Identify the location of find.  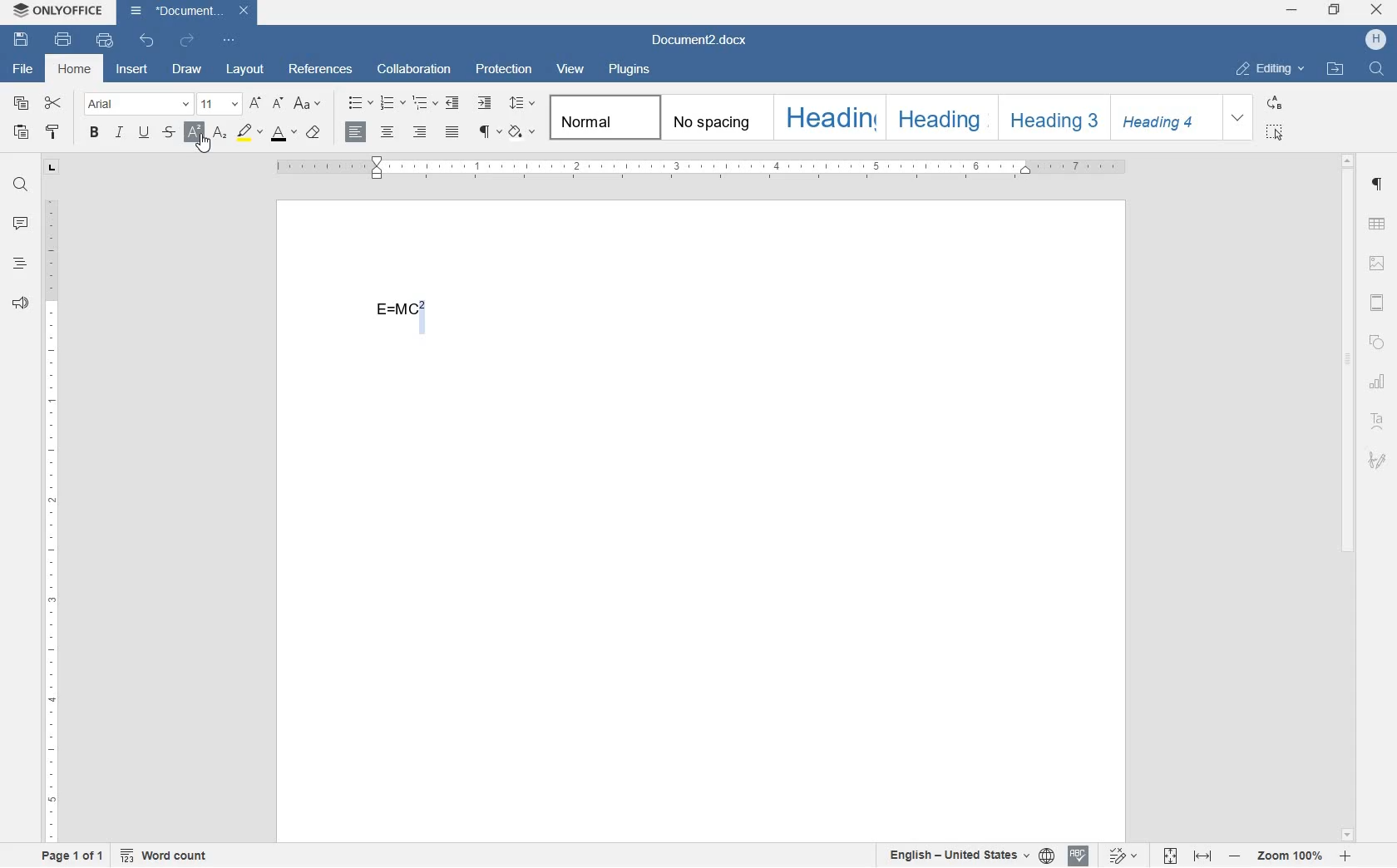
(23, 185).